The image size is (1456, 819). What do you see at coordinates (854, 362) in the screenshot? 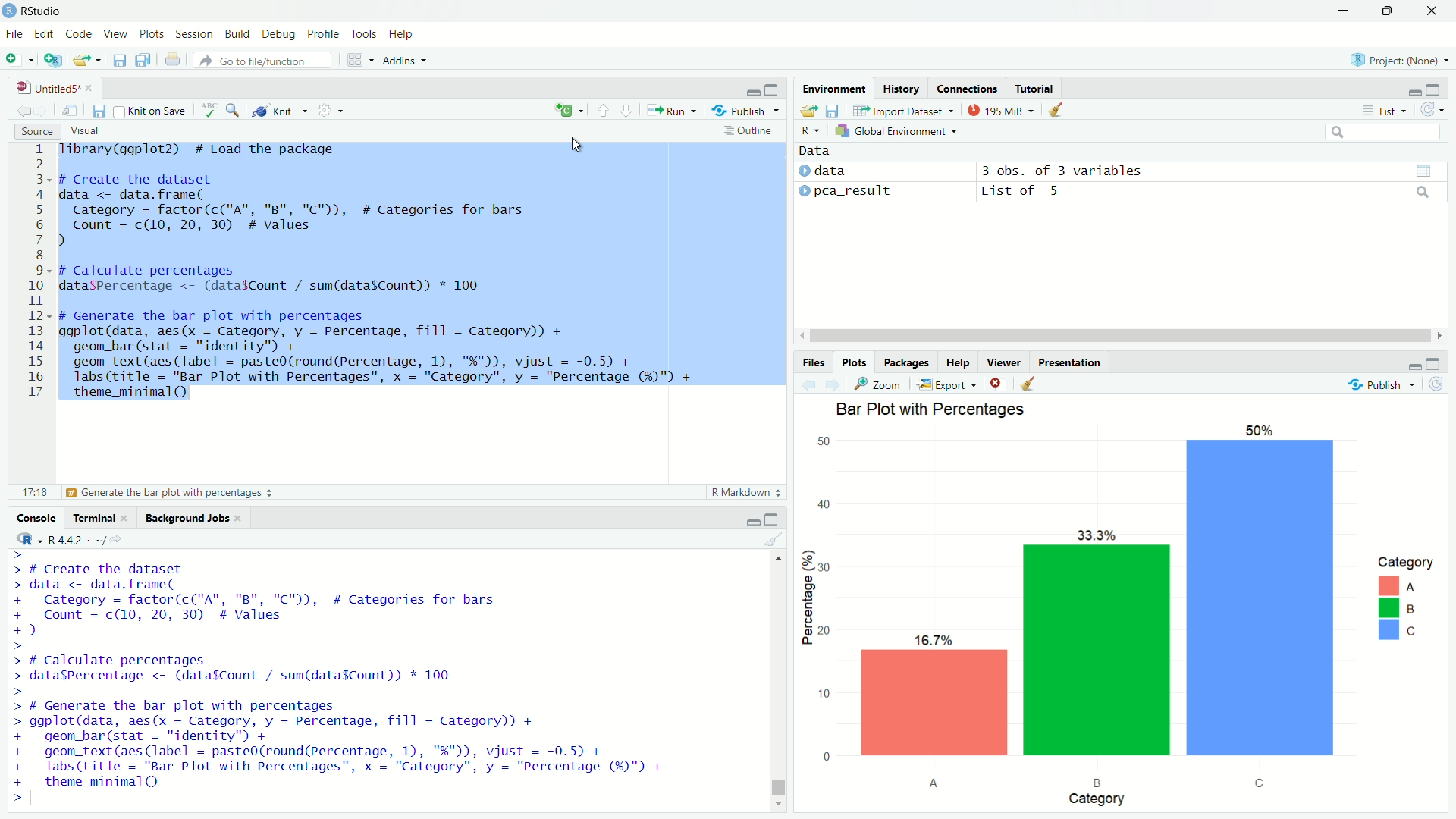
I see `Plots` at bounding box center [854, 362].